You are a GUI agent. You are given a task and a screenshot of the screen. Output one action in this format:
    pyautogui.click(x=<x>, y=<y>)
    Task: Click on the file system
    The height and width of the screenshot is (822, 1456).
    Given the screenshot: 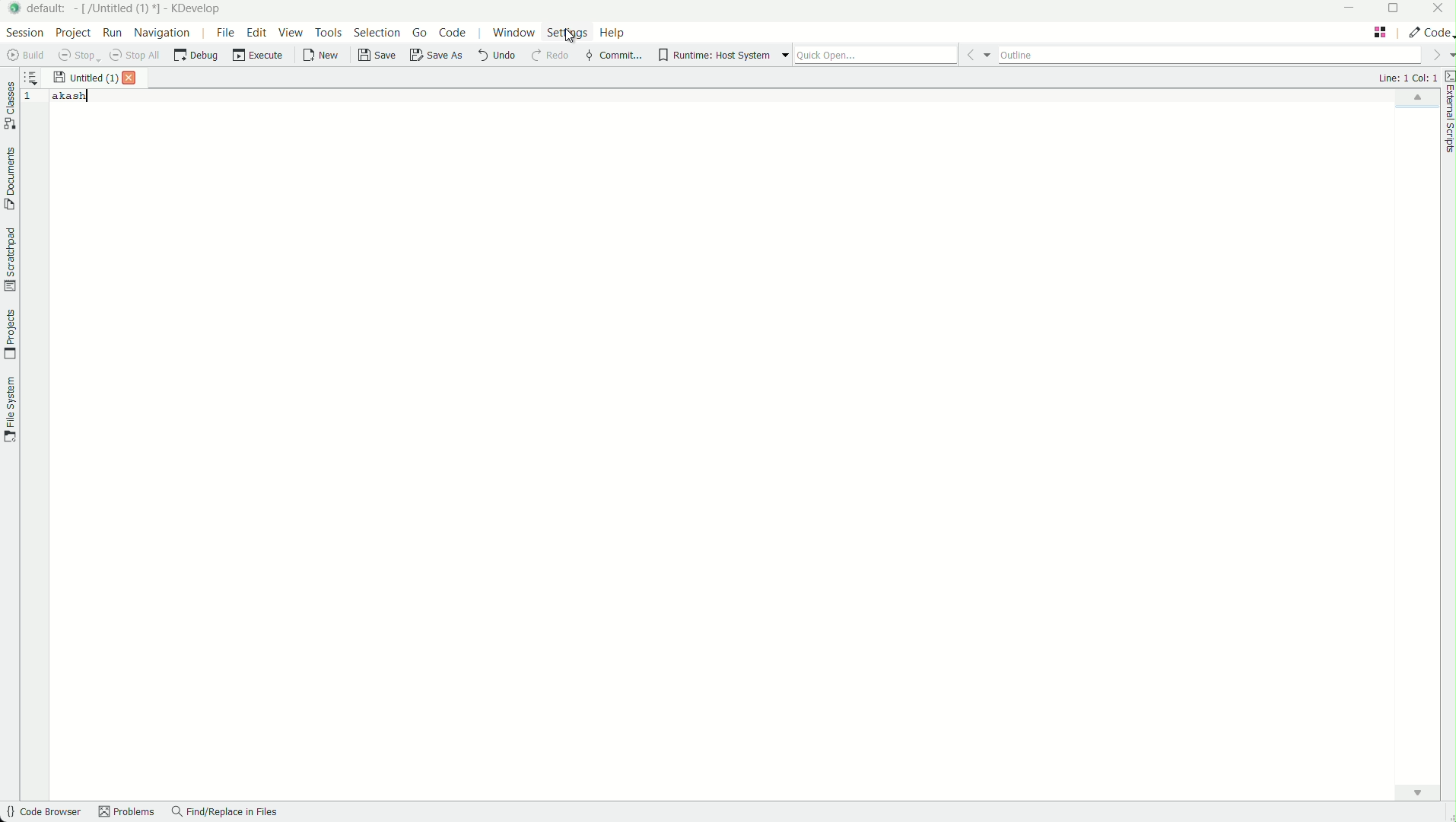 What is the action you would take?
    pyautogui.click(x=9, y=407)
    